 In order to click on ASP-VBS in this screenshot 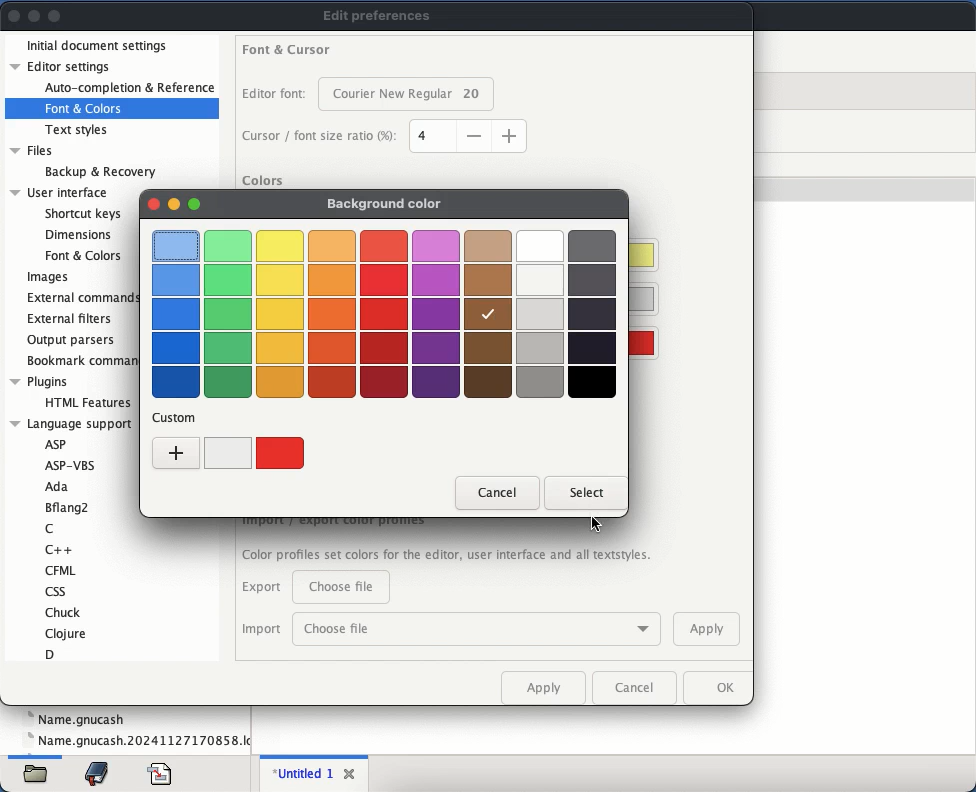, I will do `click(72, 464)`.